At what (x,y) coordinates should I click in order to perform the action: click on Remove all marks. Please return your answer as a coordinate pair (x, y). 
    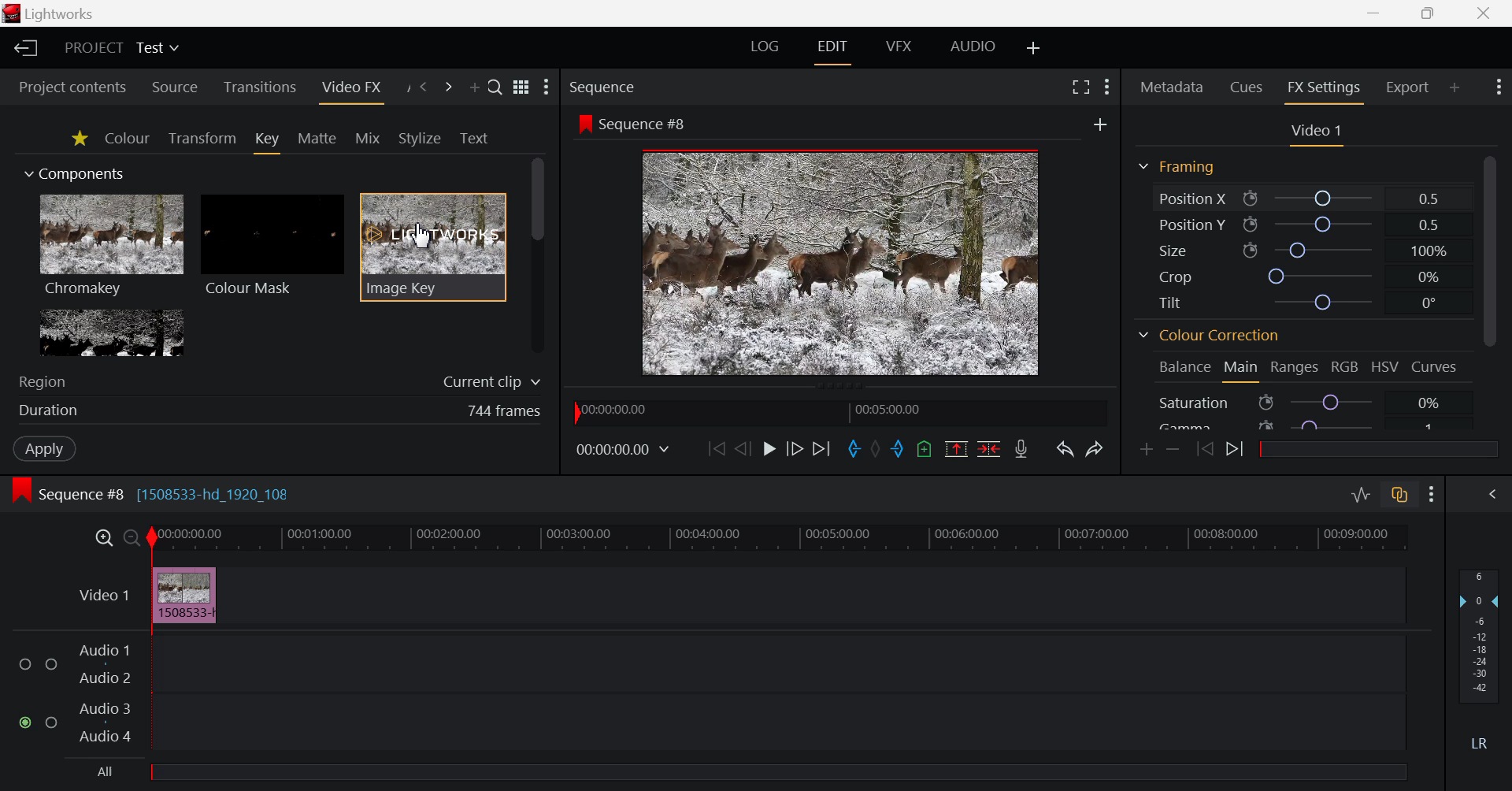
    Looking at the image, I should click on (879, 450).